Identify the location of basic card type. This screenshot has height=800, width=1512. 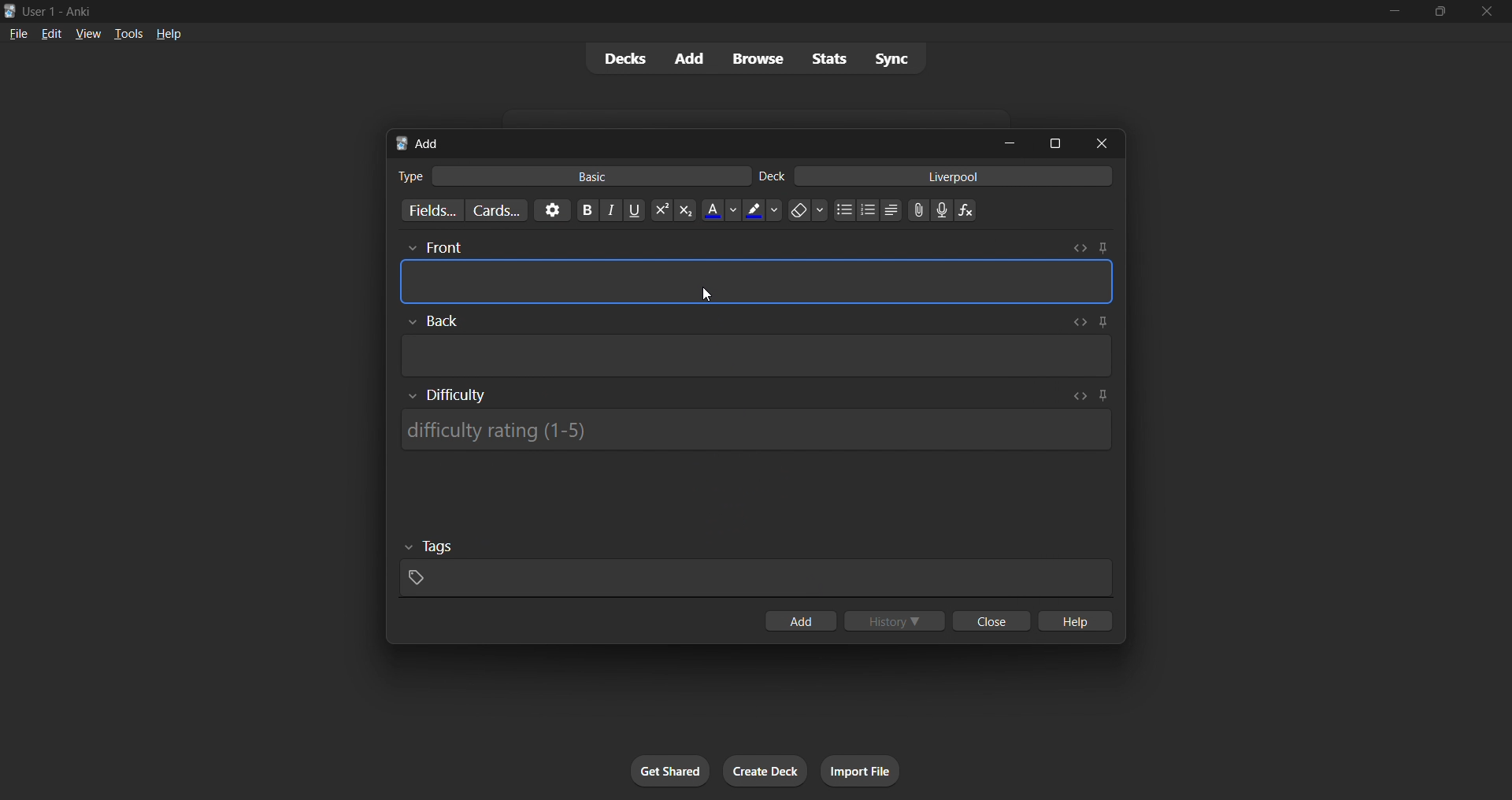
(590, 176).